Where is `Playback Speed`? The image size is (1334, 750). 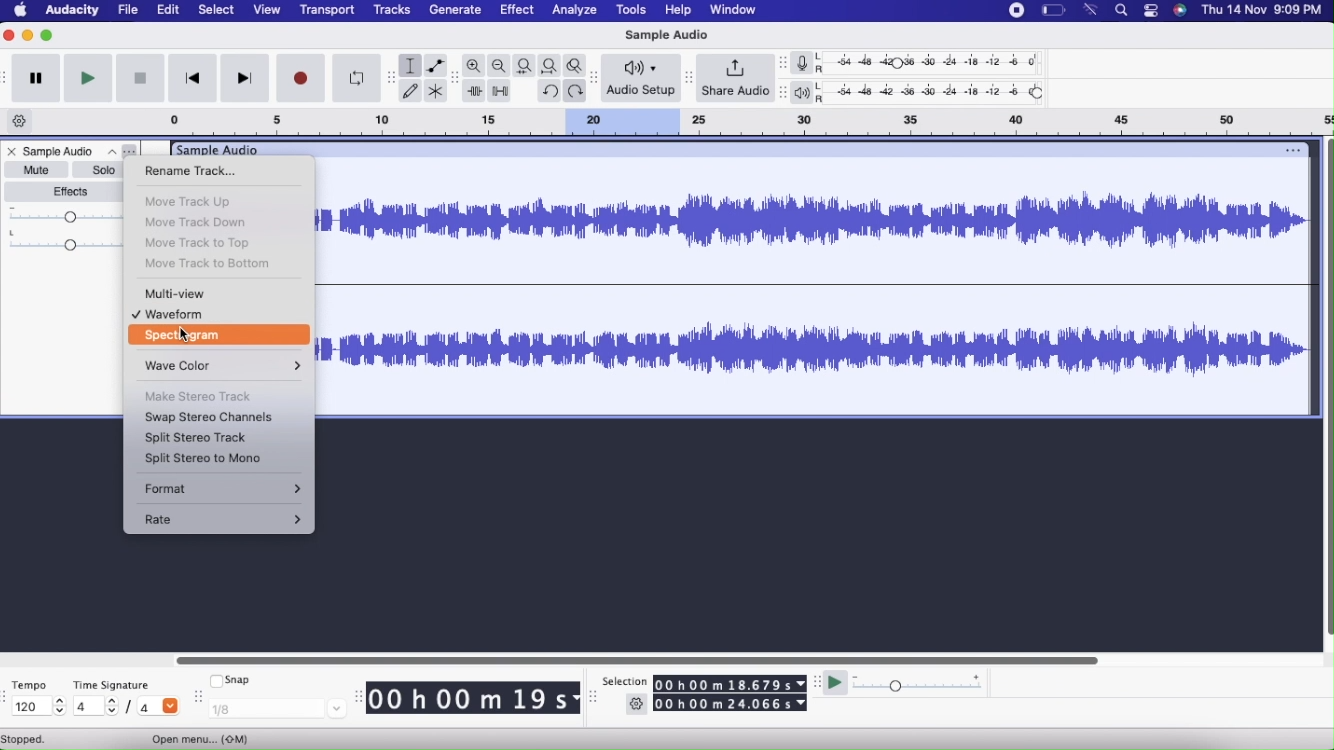 Playback Speed is located at coordinates (920, 680).